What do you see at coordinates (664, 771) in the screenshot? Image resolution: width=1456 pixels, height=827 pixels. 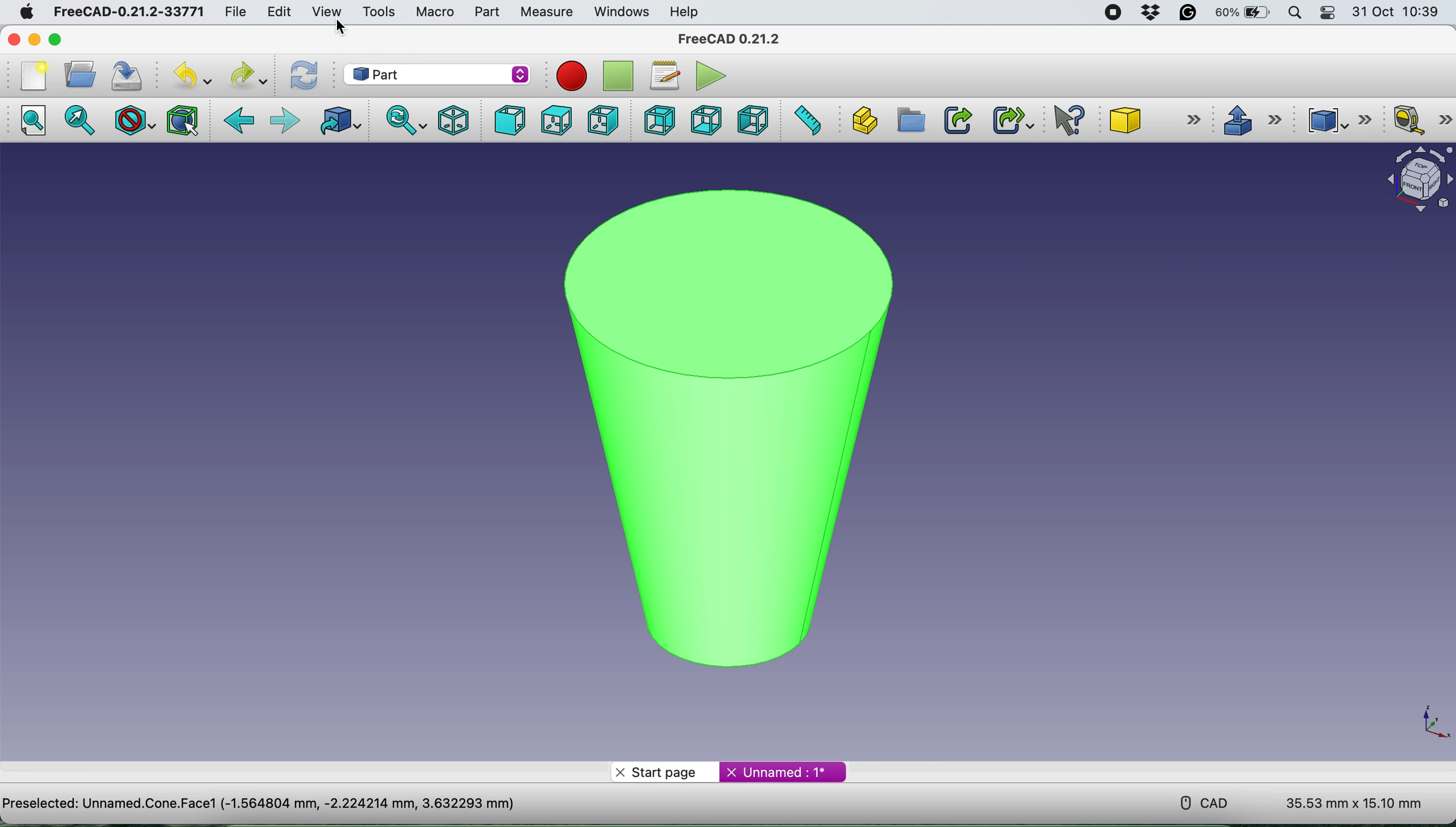 I see `start page` at bounding box center [664, 771].